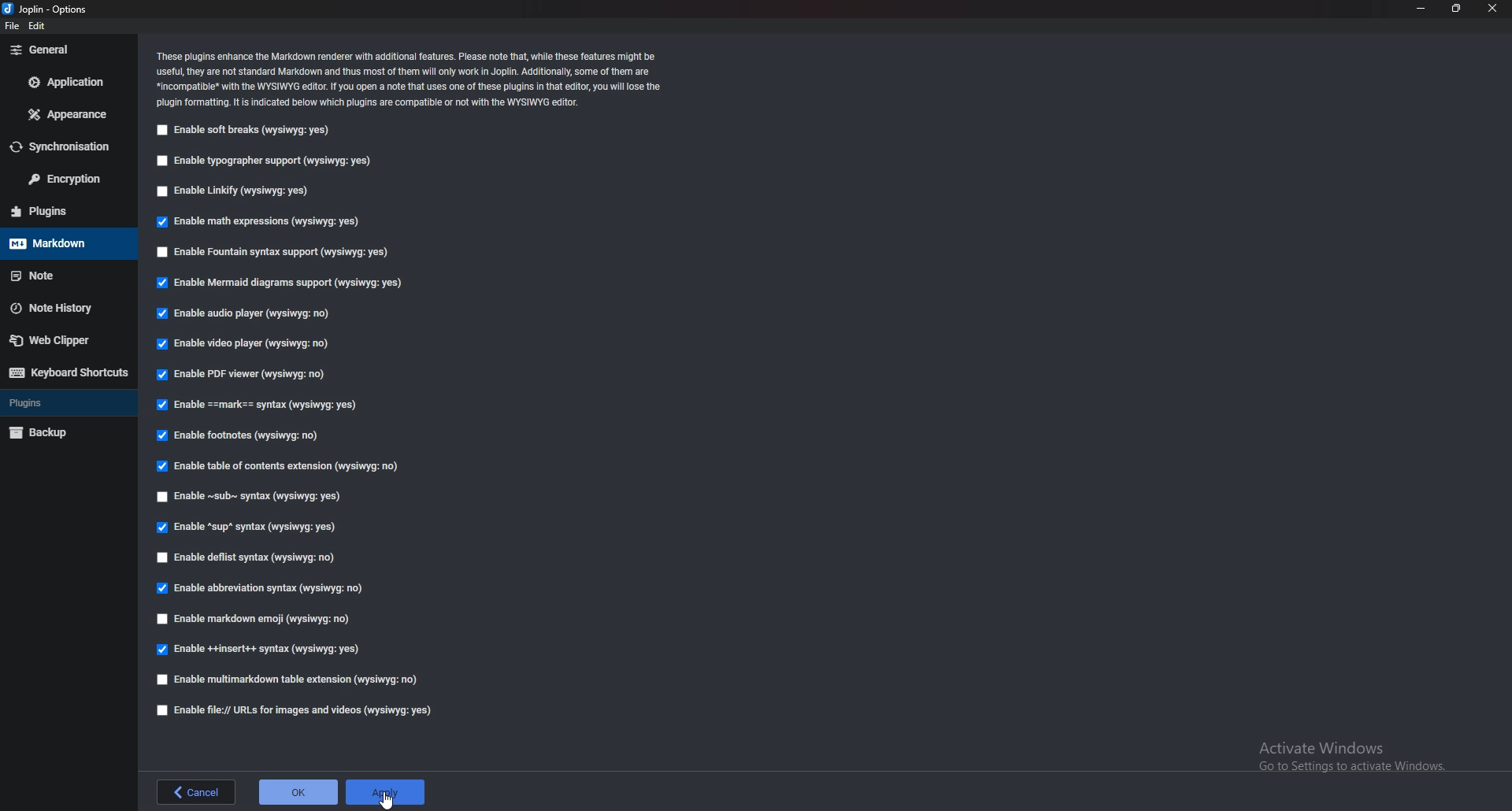 The height and width of the screenshot is (811, 1512). I want to click on Markdown, so click(66, 243).